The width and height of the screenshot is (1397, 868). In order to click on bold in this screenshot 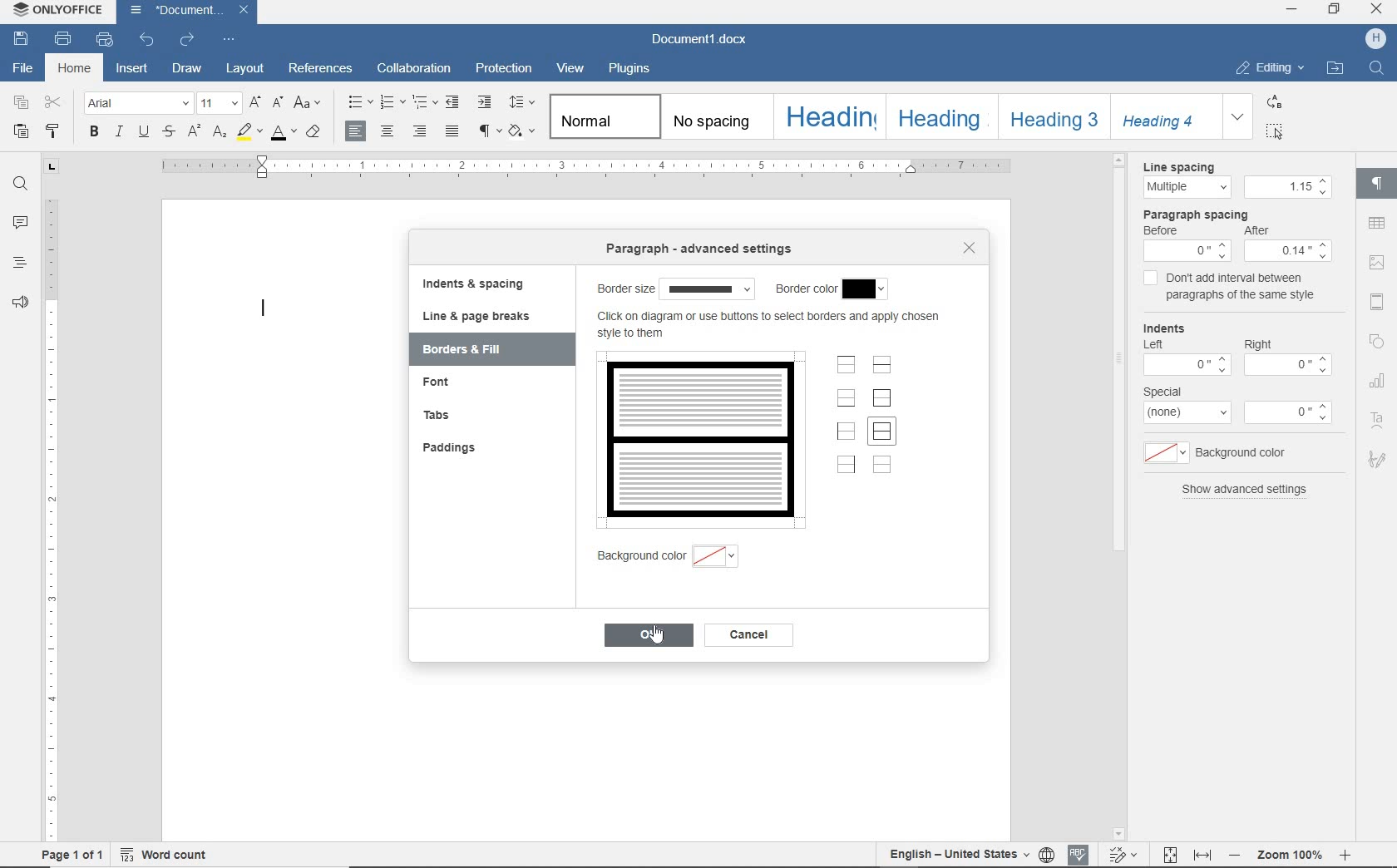, I will do `click(94, 134)`.